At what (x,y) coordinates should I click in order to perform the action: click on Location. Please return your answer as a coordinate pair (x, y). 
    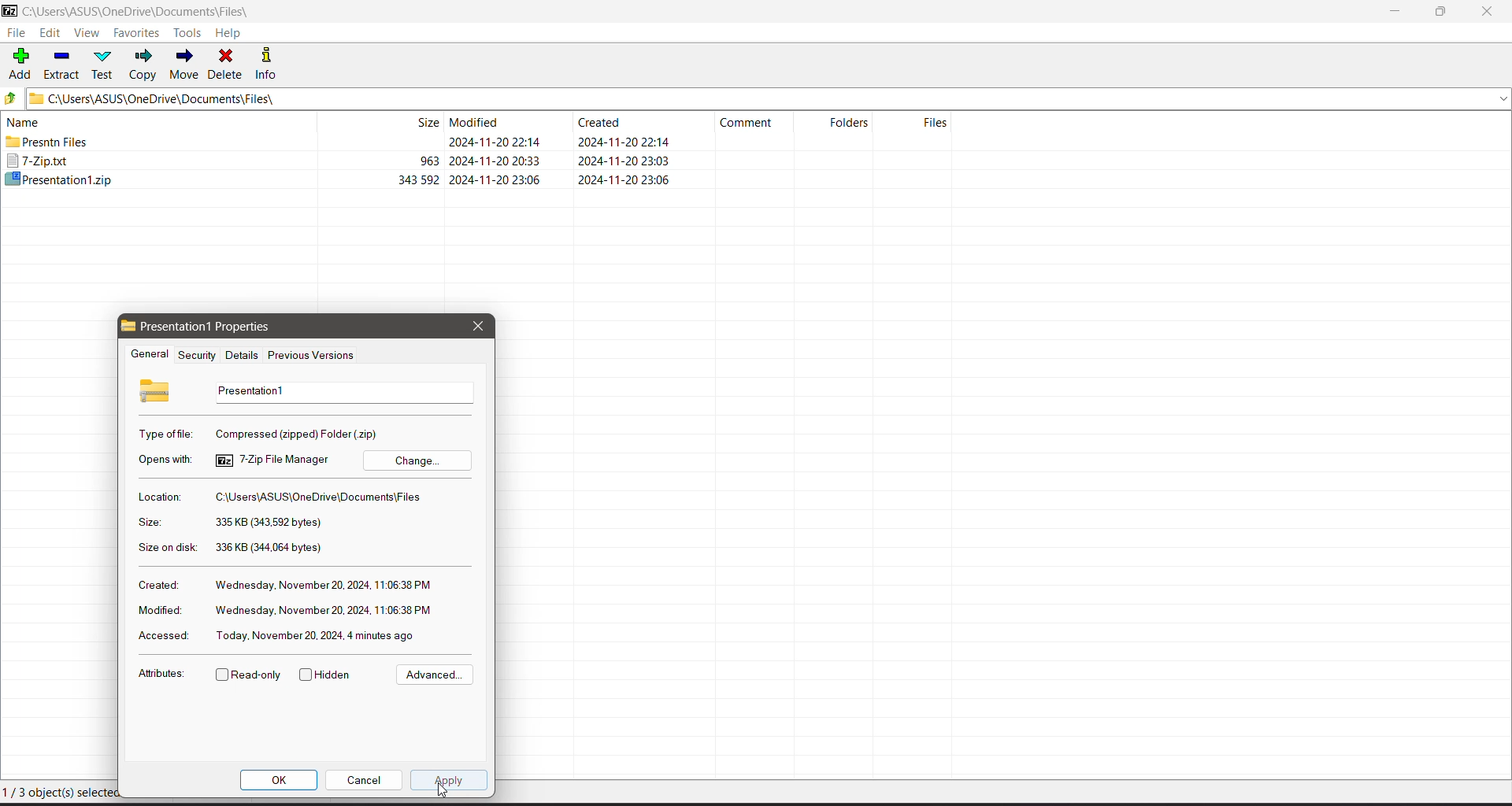
    Looking at the image, I should click on (158, 497).